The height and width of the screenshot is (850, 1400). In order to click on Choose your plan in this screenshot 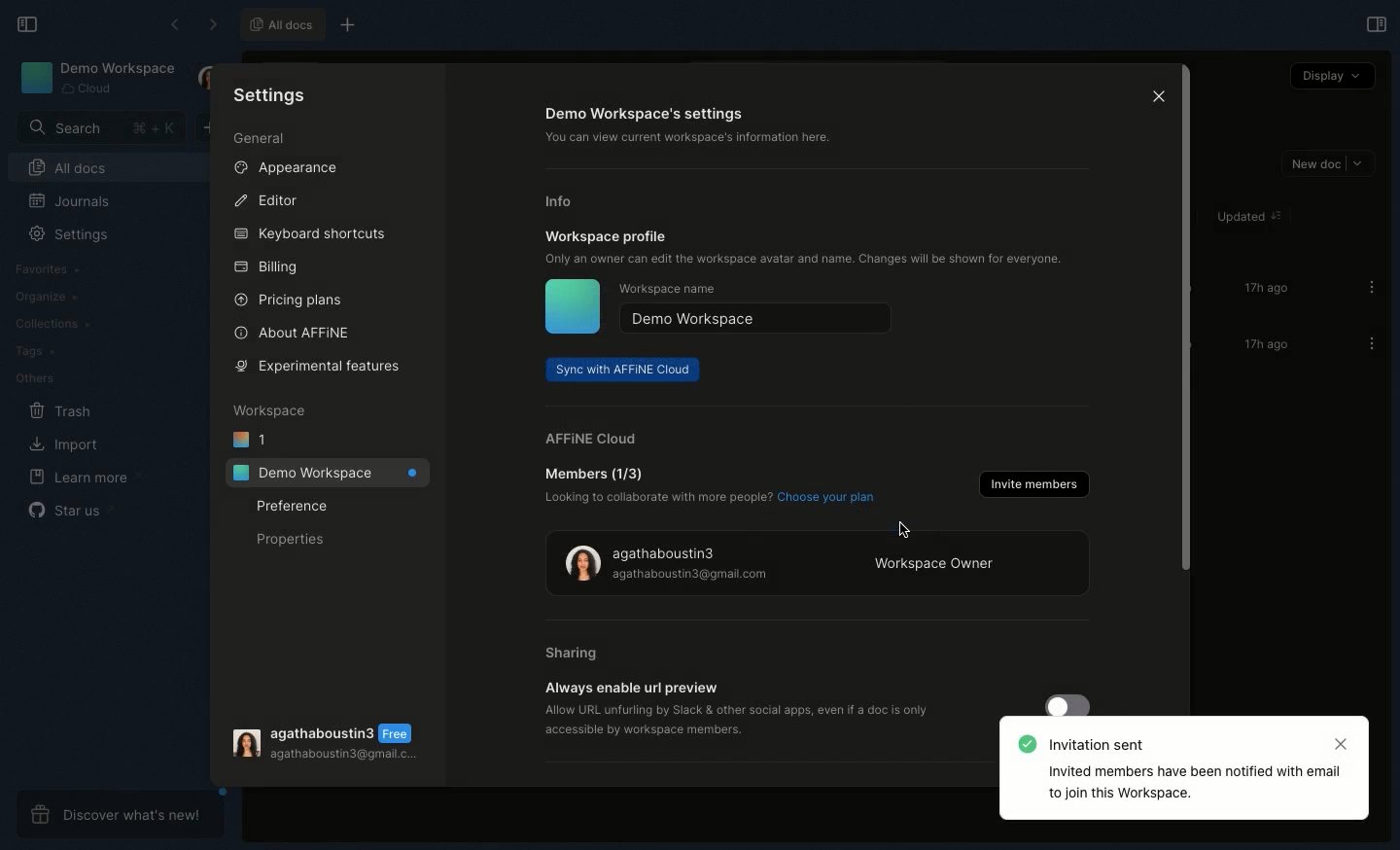, I will do `click(830, 498)`.